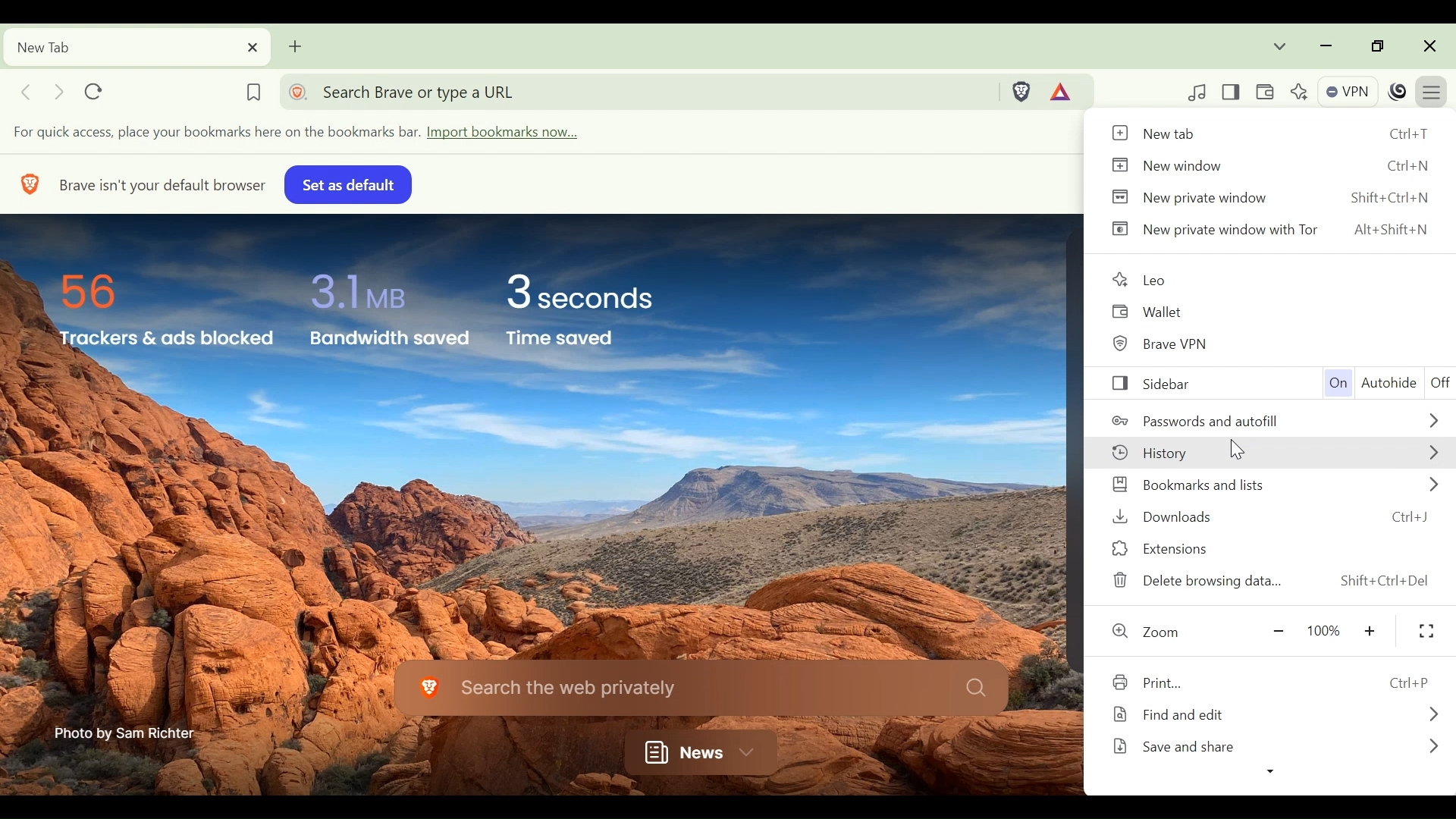 This screenshot has width=1456, height=819. Describe the element at coordinates (1157, 311) in the screenshot. I see `Wallet` at that location.